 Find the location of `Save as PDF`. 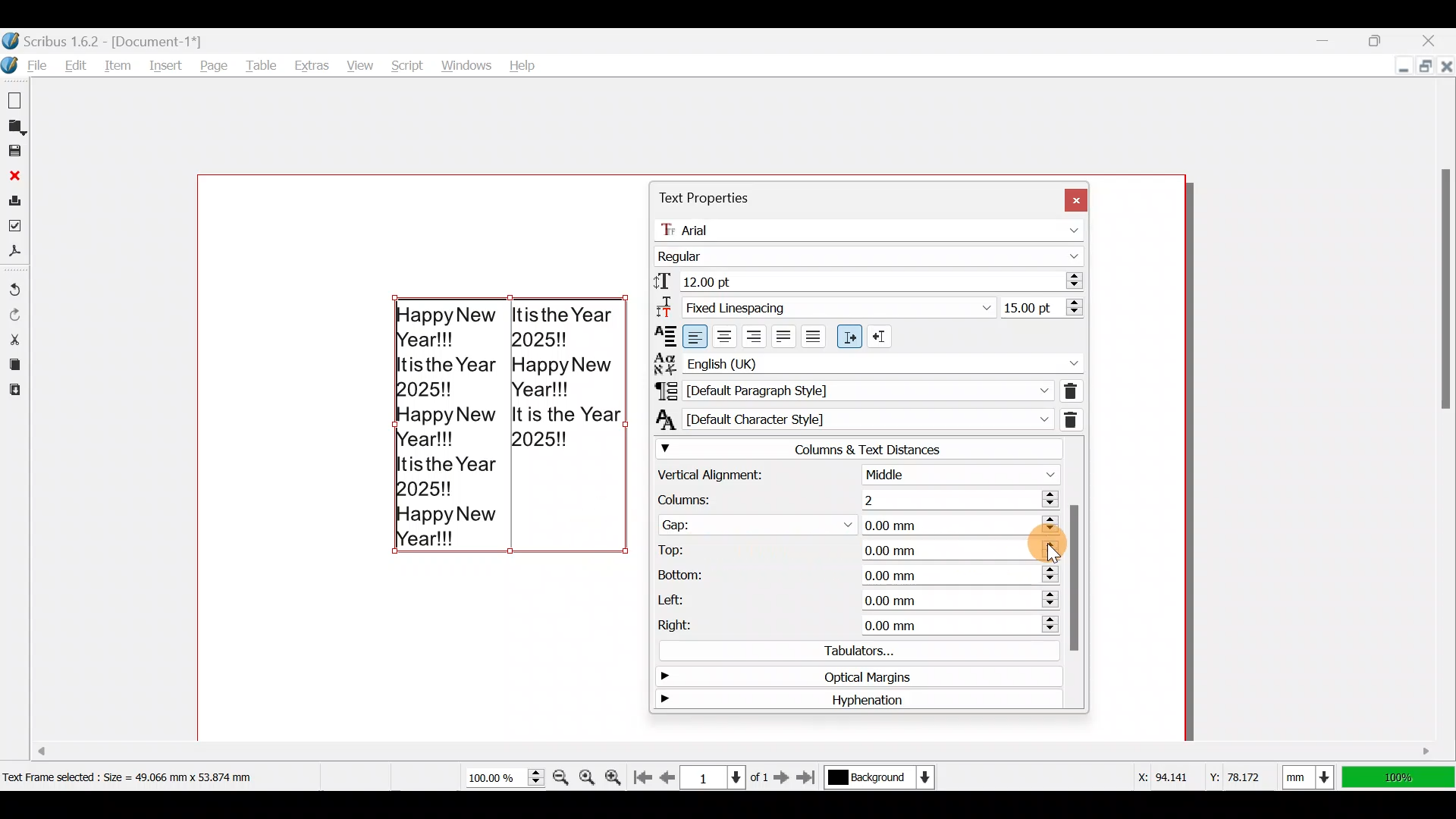

Save as PDF is located at coordinates (17, 255).